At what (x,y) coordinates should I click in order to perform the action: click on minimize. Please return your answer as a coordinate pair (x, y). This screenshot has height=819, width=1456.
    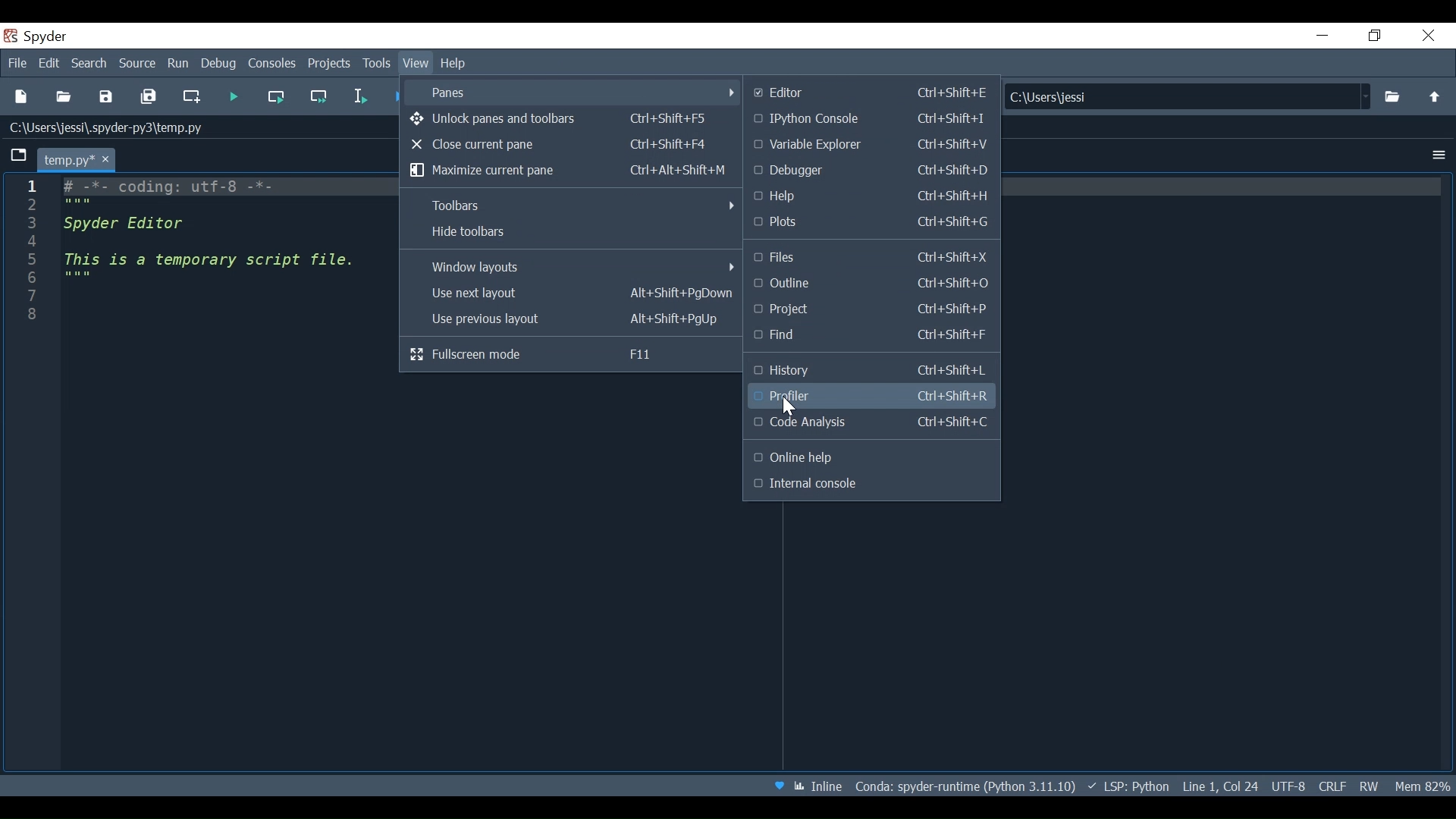
    Looking at the image, I should click on (1323, 35).